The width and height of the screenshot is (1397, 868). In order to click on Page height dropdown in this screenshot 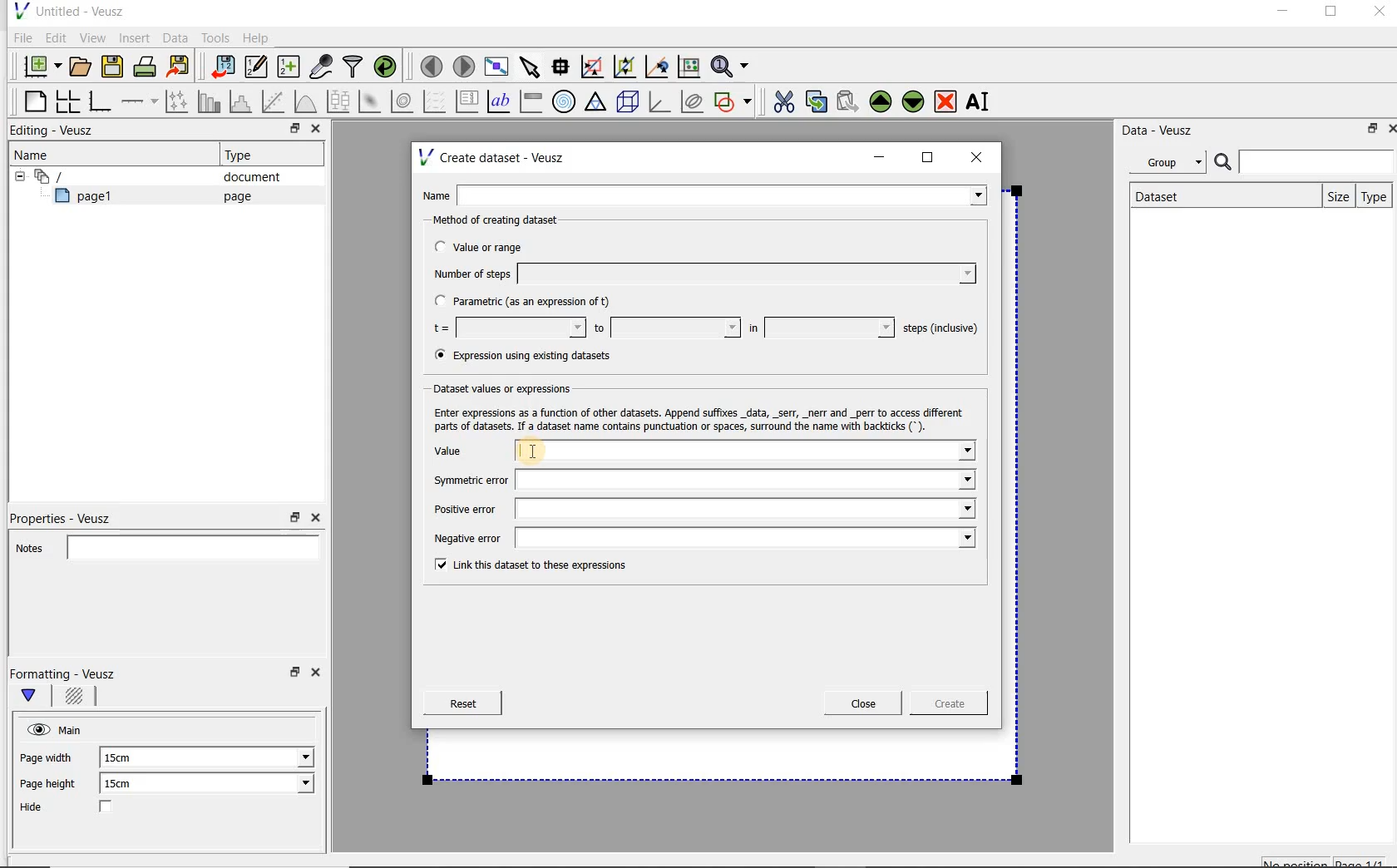, I will do `click(294, 785)`.